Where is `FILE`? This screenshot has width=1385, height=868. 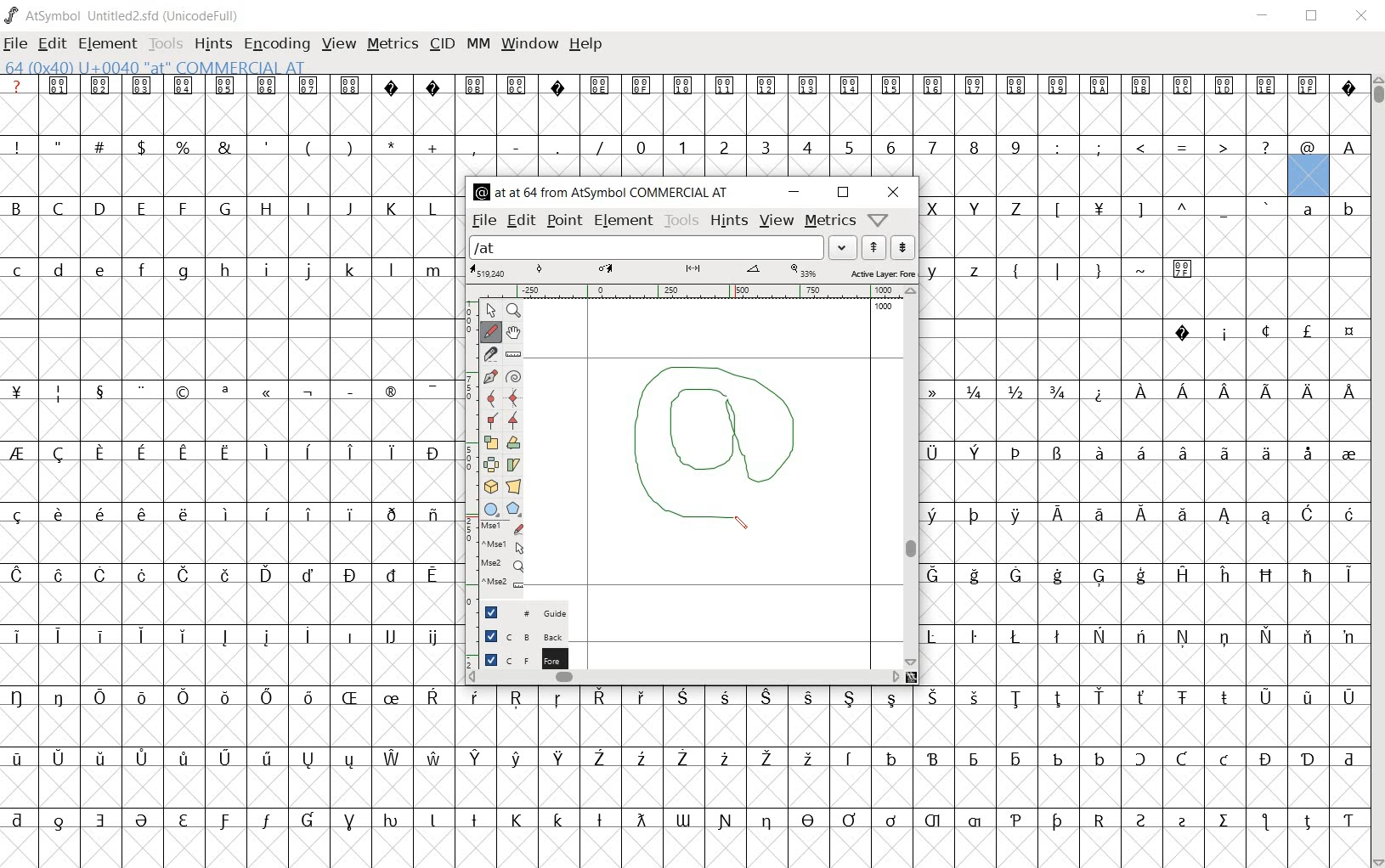
FILE is located at coordinates (15, 45).